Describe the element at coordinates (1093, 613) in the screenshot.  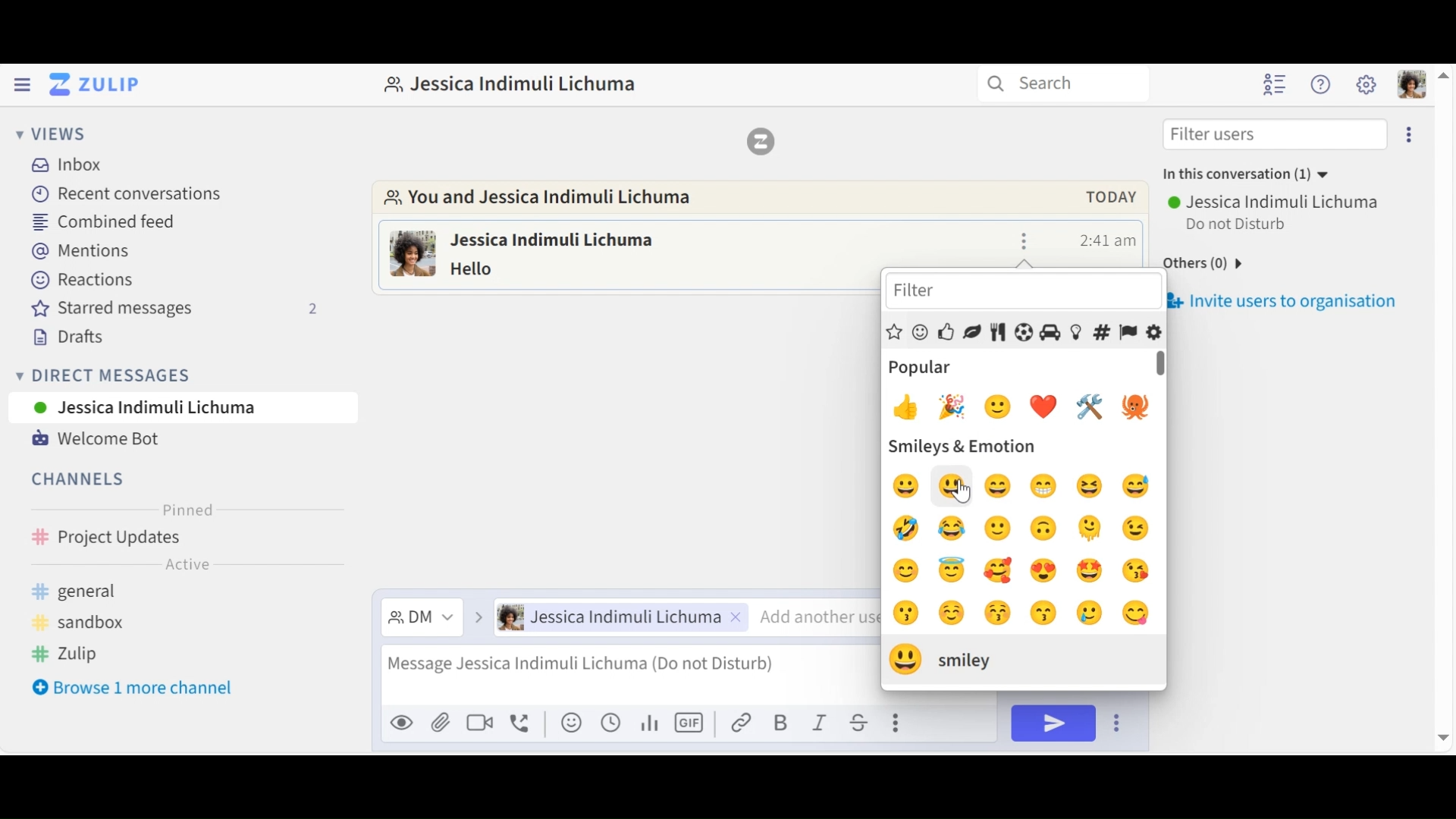
I see `smile with tear` at that location.